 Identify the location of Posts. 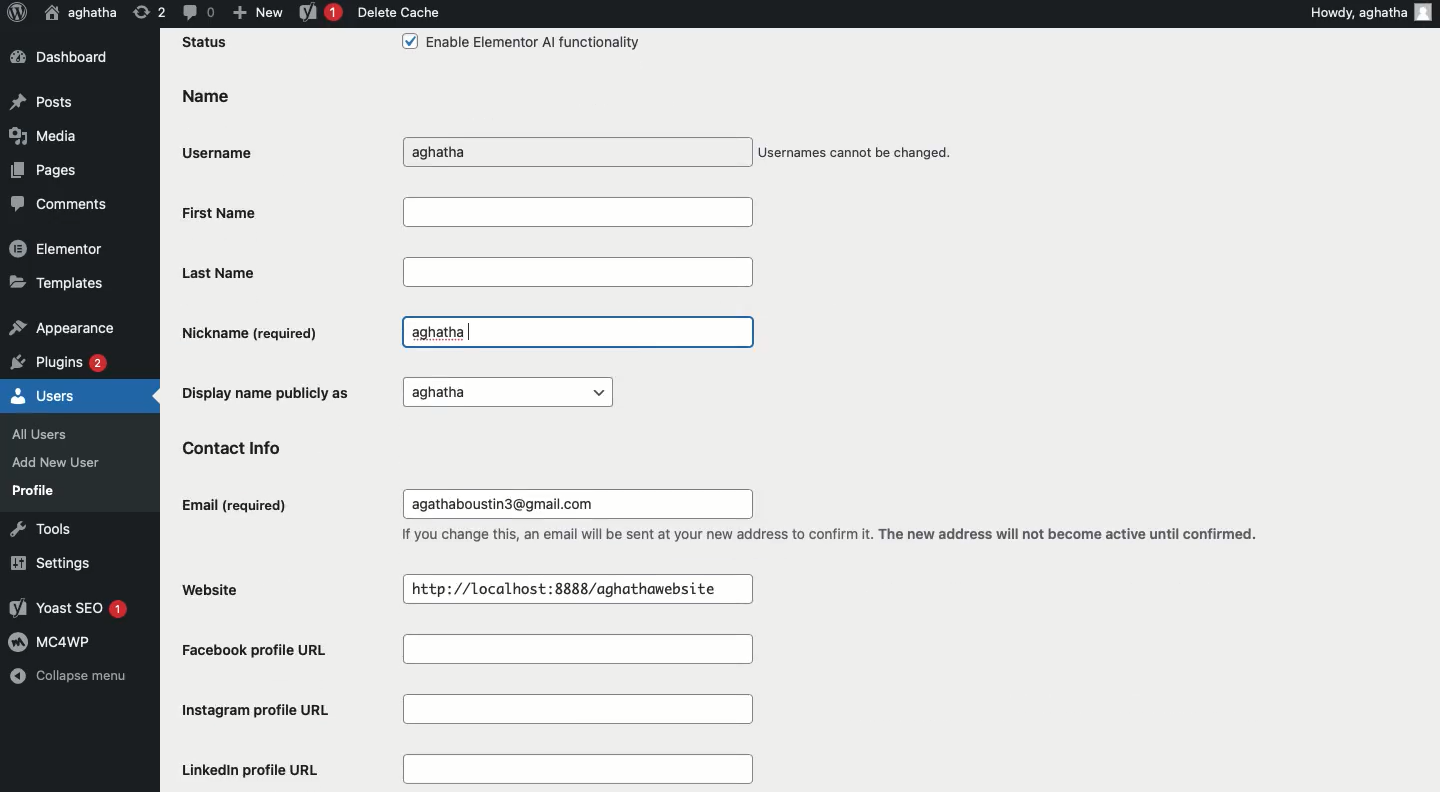
(43, 104).